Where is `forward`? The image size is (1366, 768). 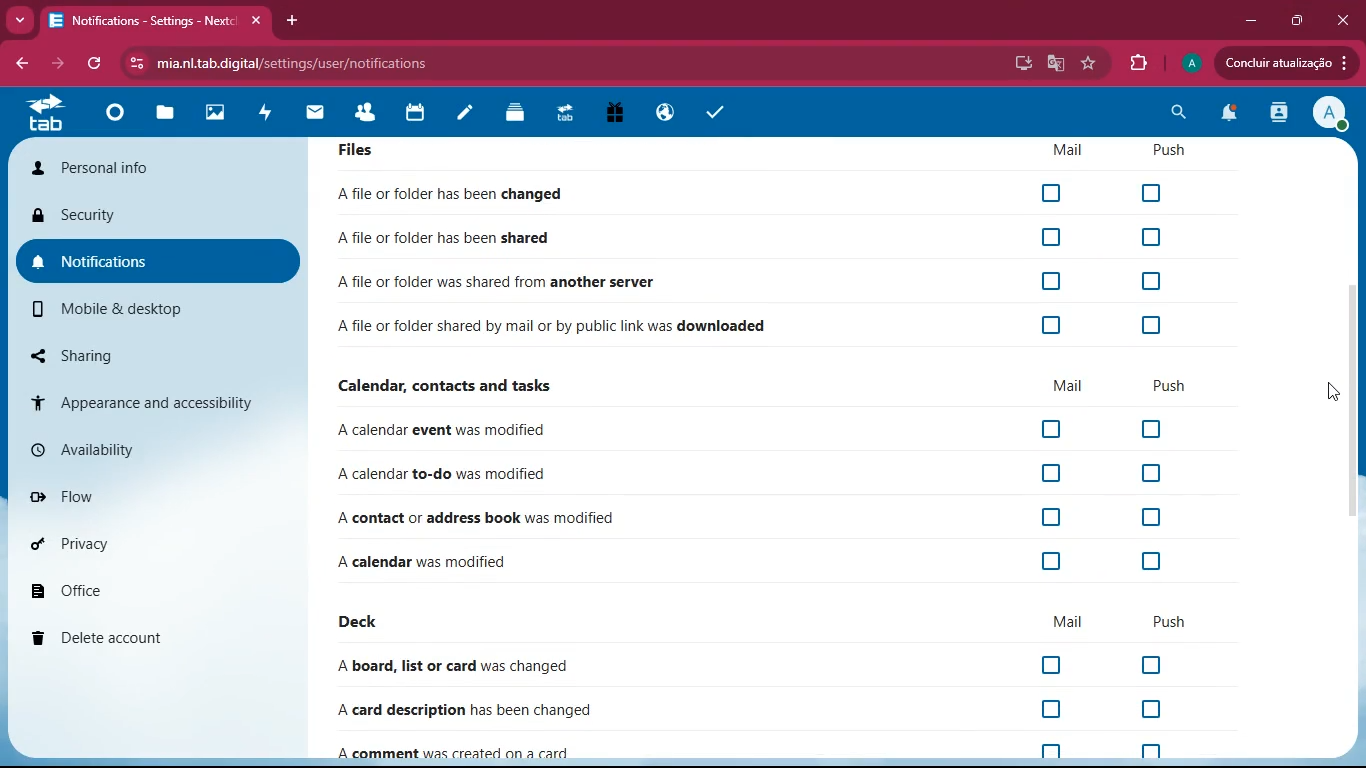
forward is located at coordinates (55, 62).